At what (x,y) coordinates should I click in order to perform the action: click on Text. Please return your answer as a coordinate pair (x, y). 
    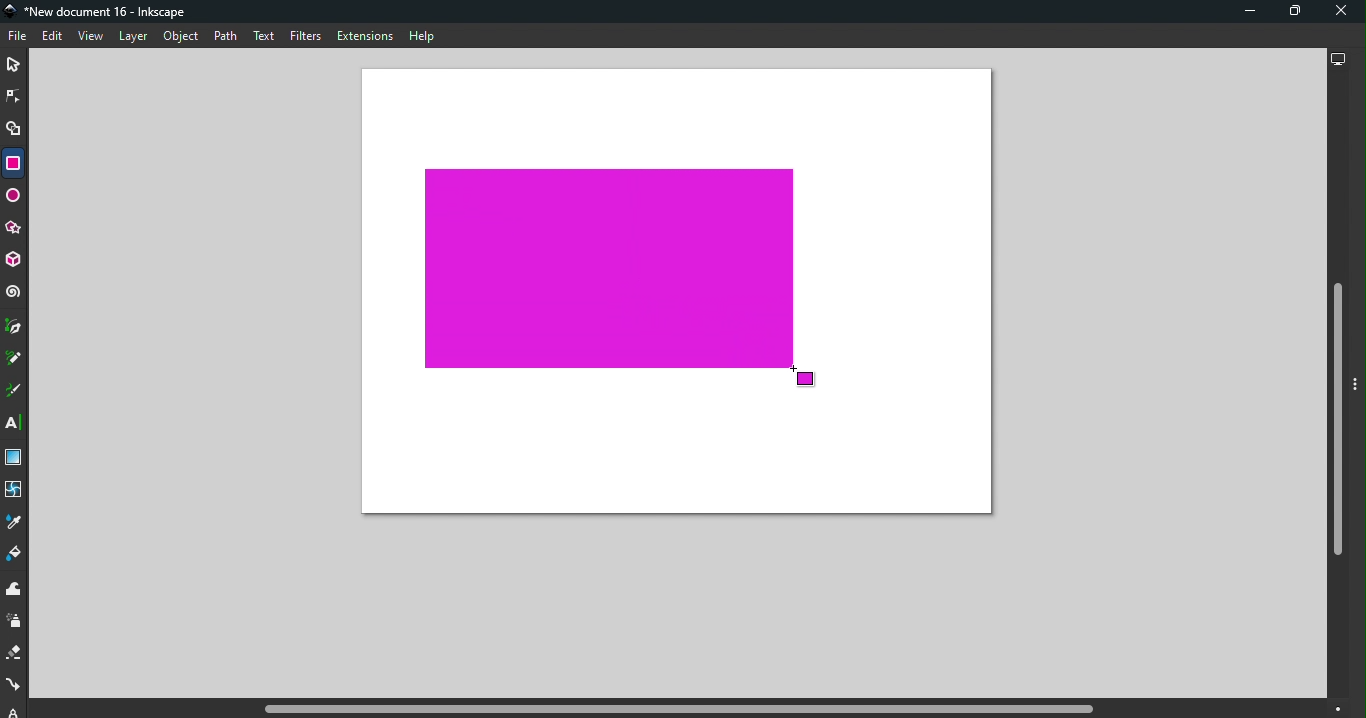
    Looking at the image, I should click on (266, 37).